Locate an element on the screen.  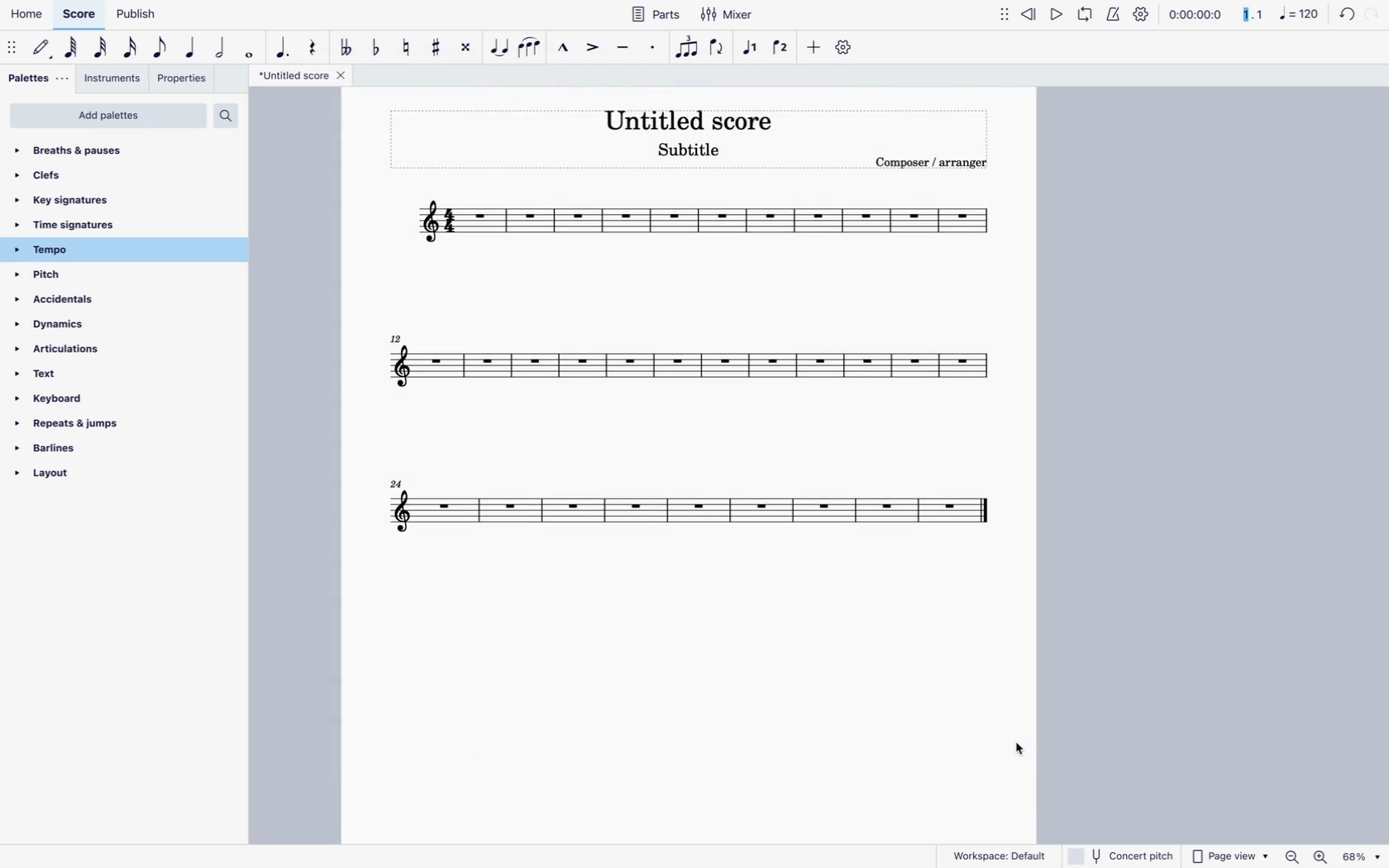
breaths & pauses is located at coordinates (83, 147).